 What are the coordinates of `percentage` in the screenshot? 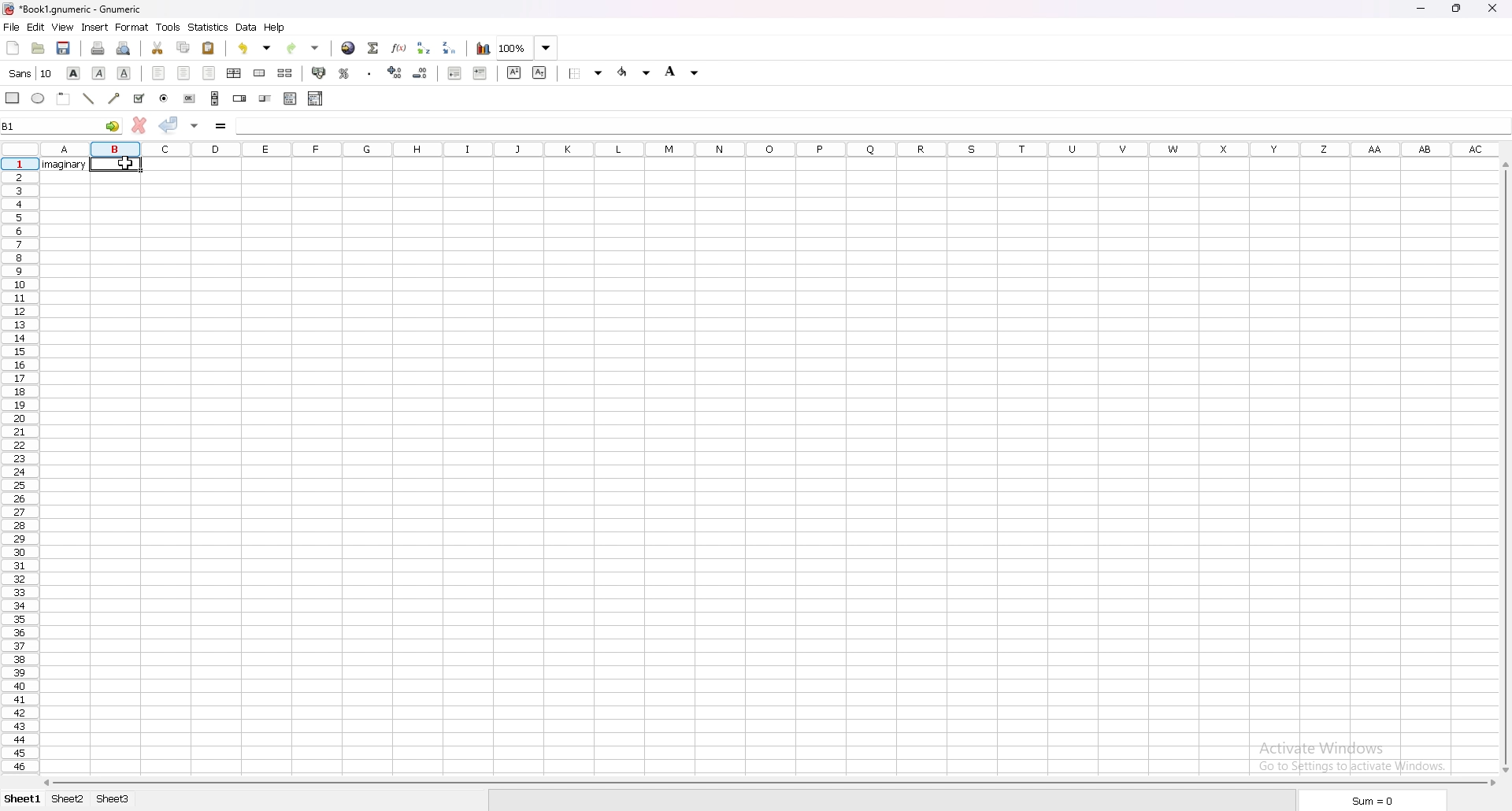 It's located at (344, 72).